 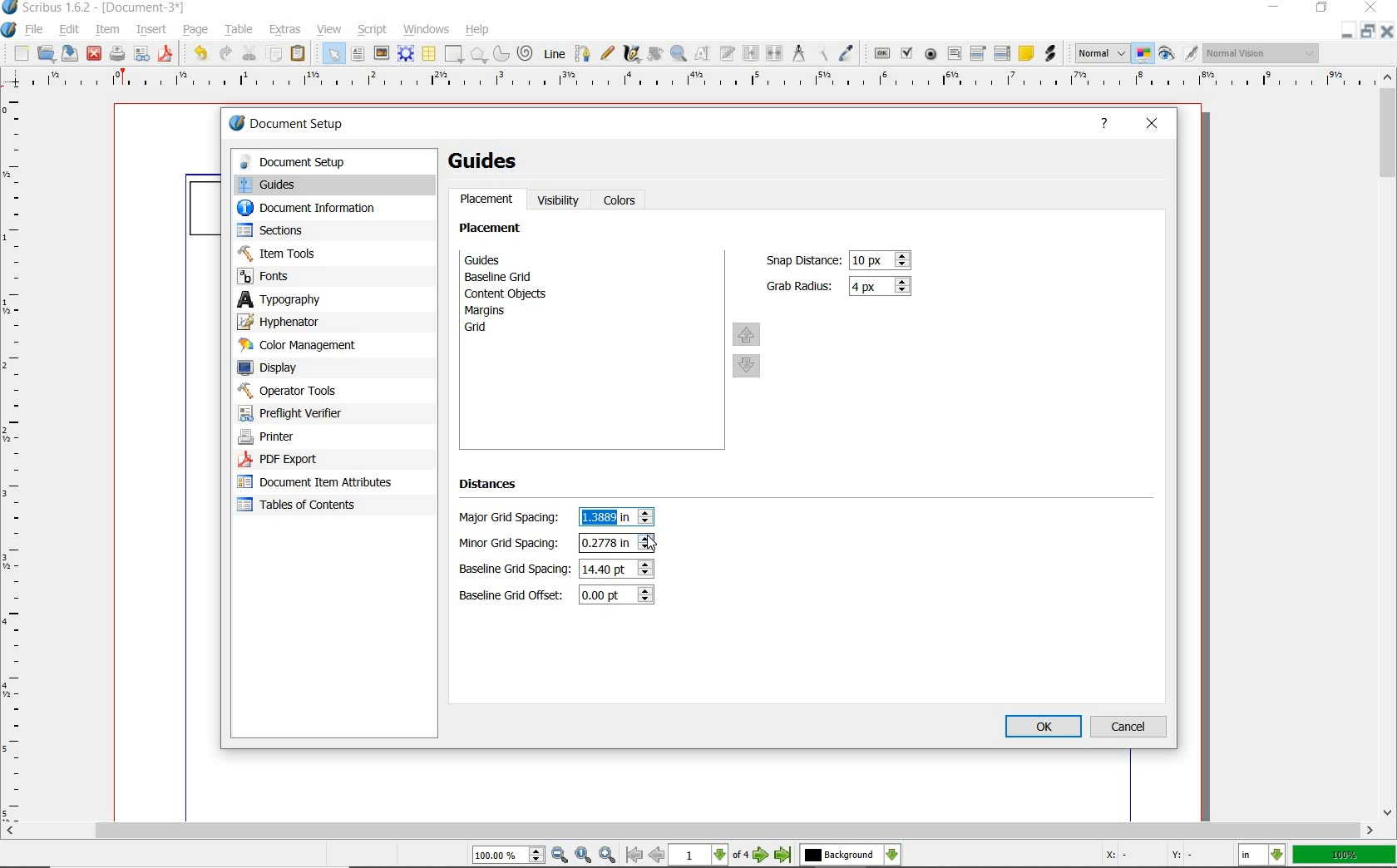 What do you see at coordinates (801, 260) in the screenshot?
I see `Snap Distance:` at bounding box center [801, 260].